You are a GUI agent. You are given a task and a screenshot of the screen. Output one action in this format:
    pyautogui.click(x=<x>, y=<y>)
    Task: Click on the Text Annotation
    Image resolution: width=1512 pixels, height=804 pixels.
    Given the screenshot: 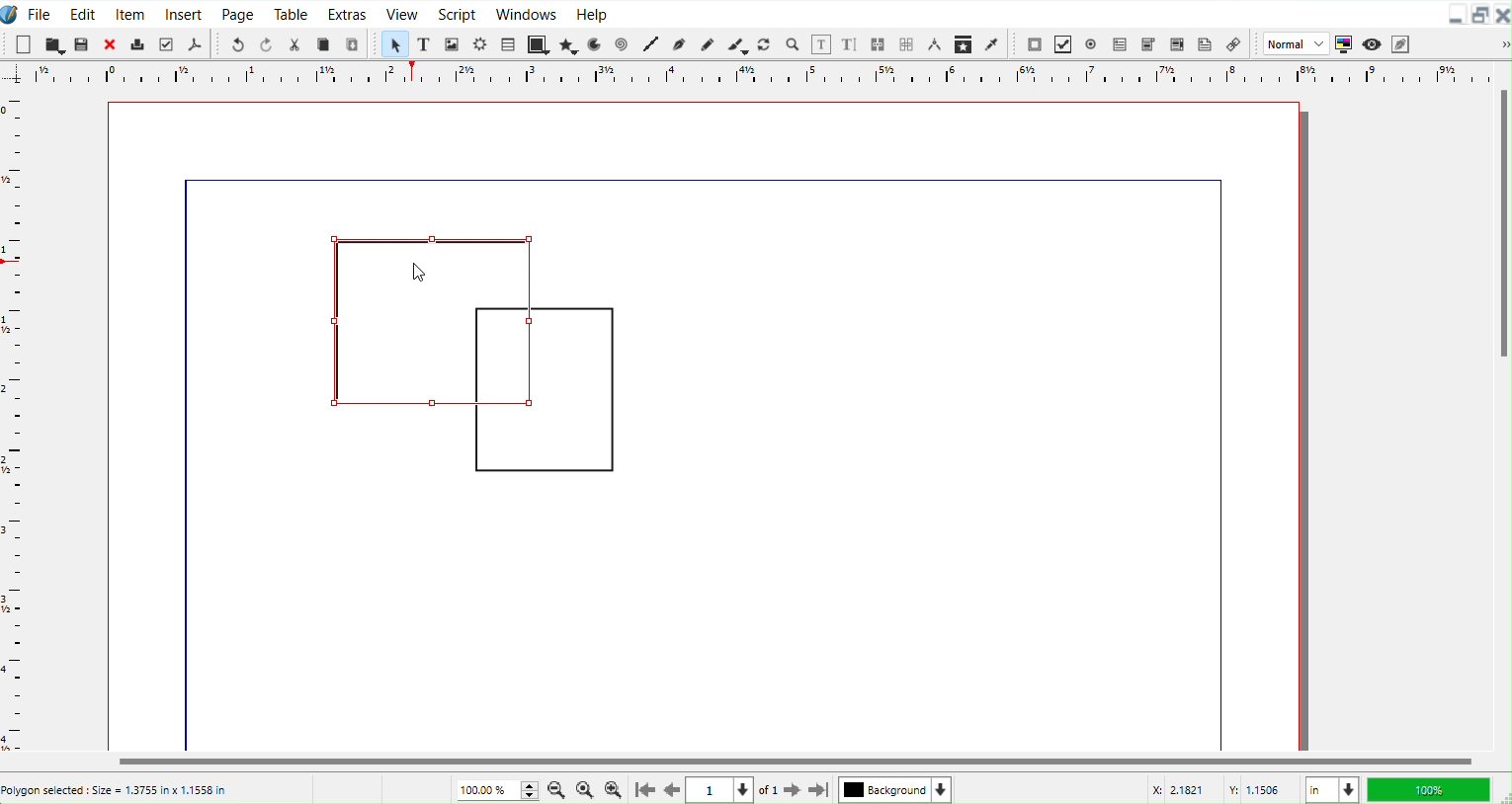 What is the action you would take?
    pyautogui.click(x=1205, y=42)
    